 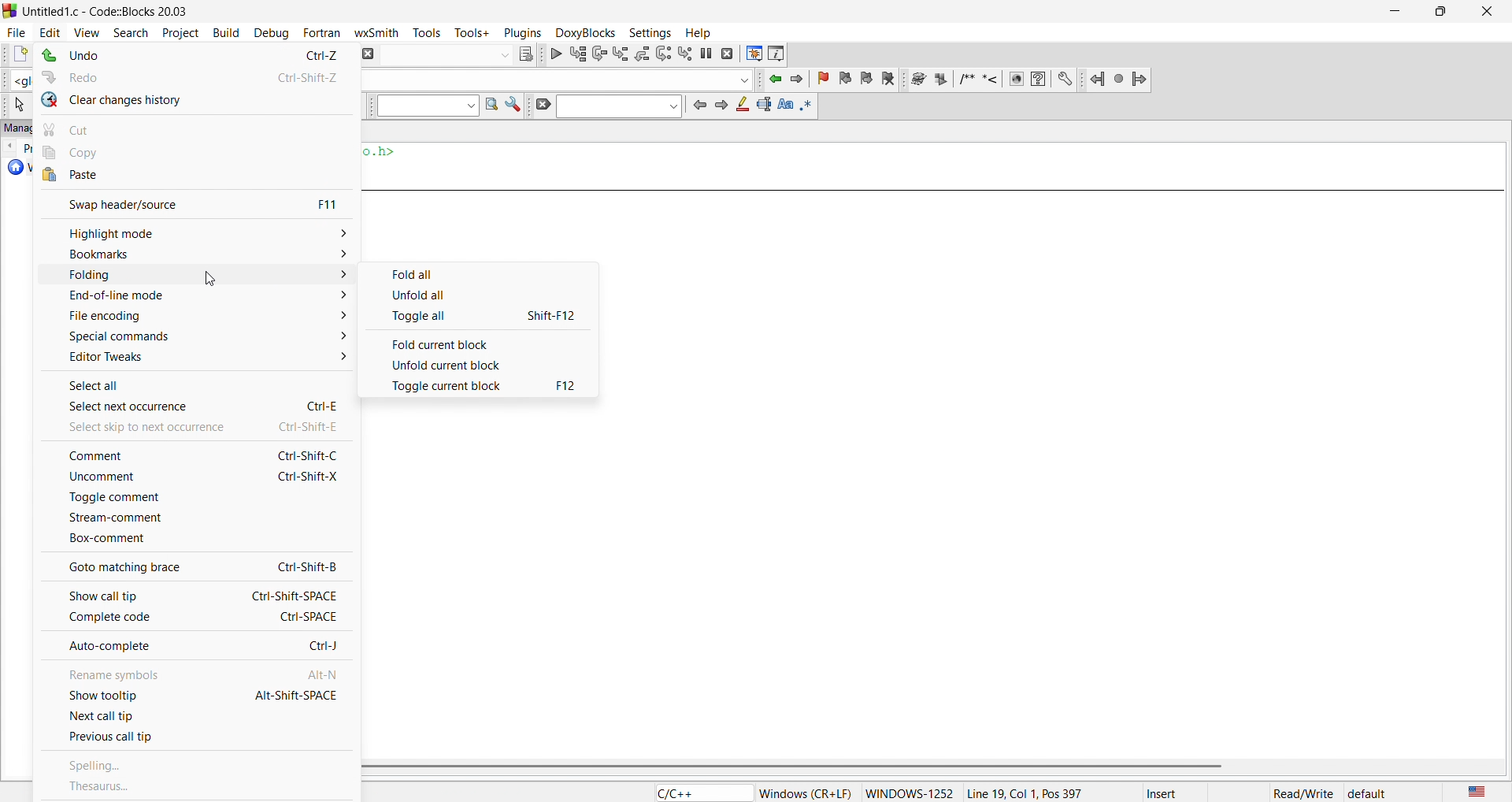 What do you see at coordinates (194, 232) in the screenshot?
I see `highlight mode` at bounding box center [194, 232].